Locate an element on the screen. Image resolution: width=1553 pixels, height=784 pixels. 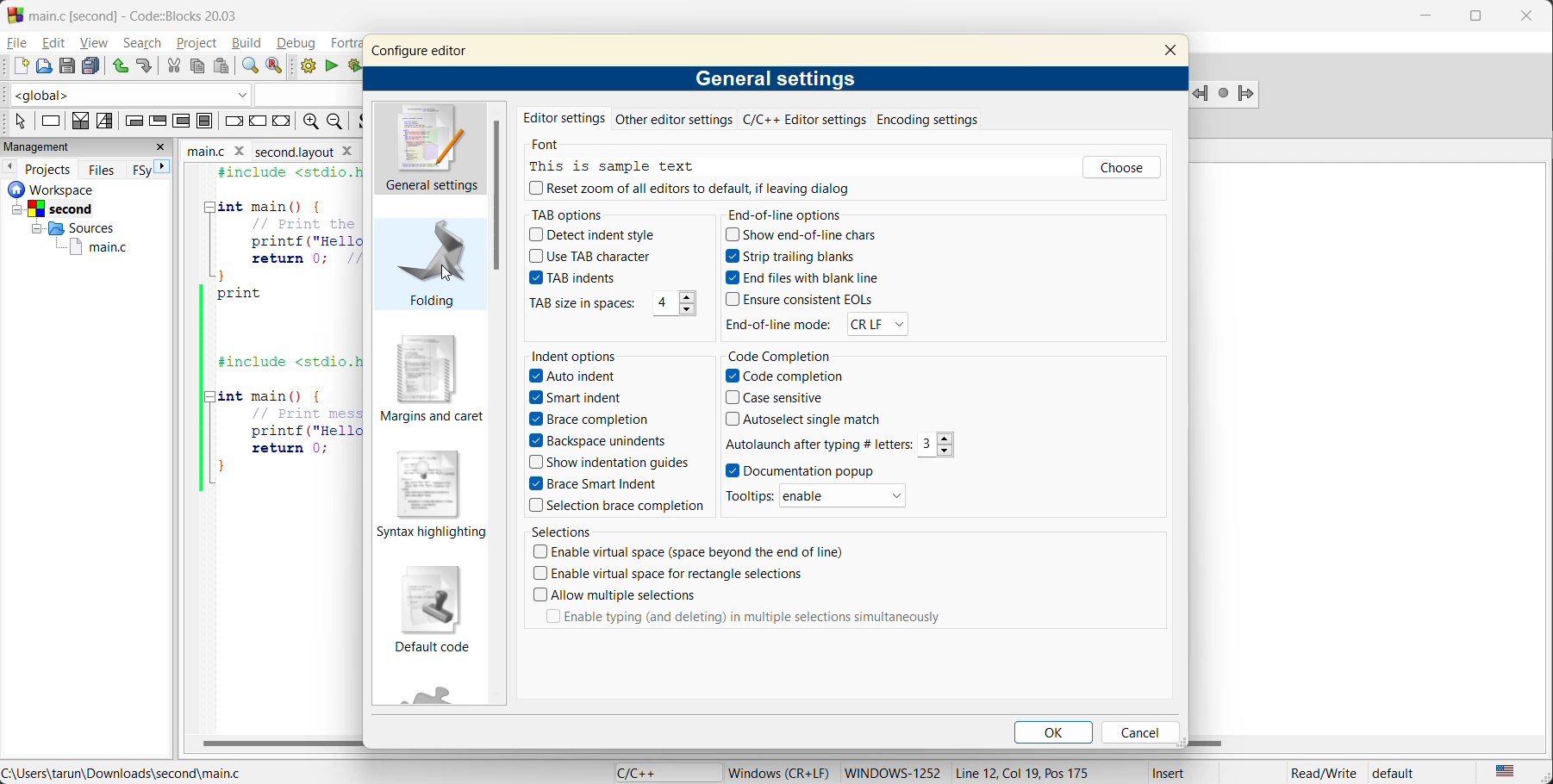
Documentation popup is located at coordinates (797, 468).